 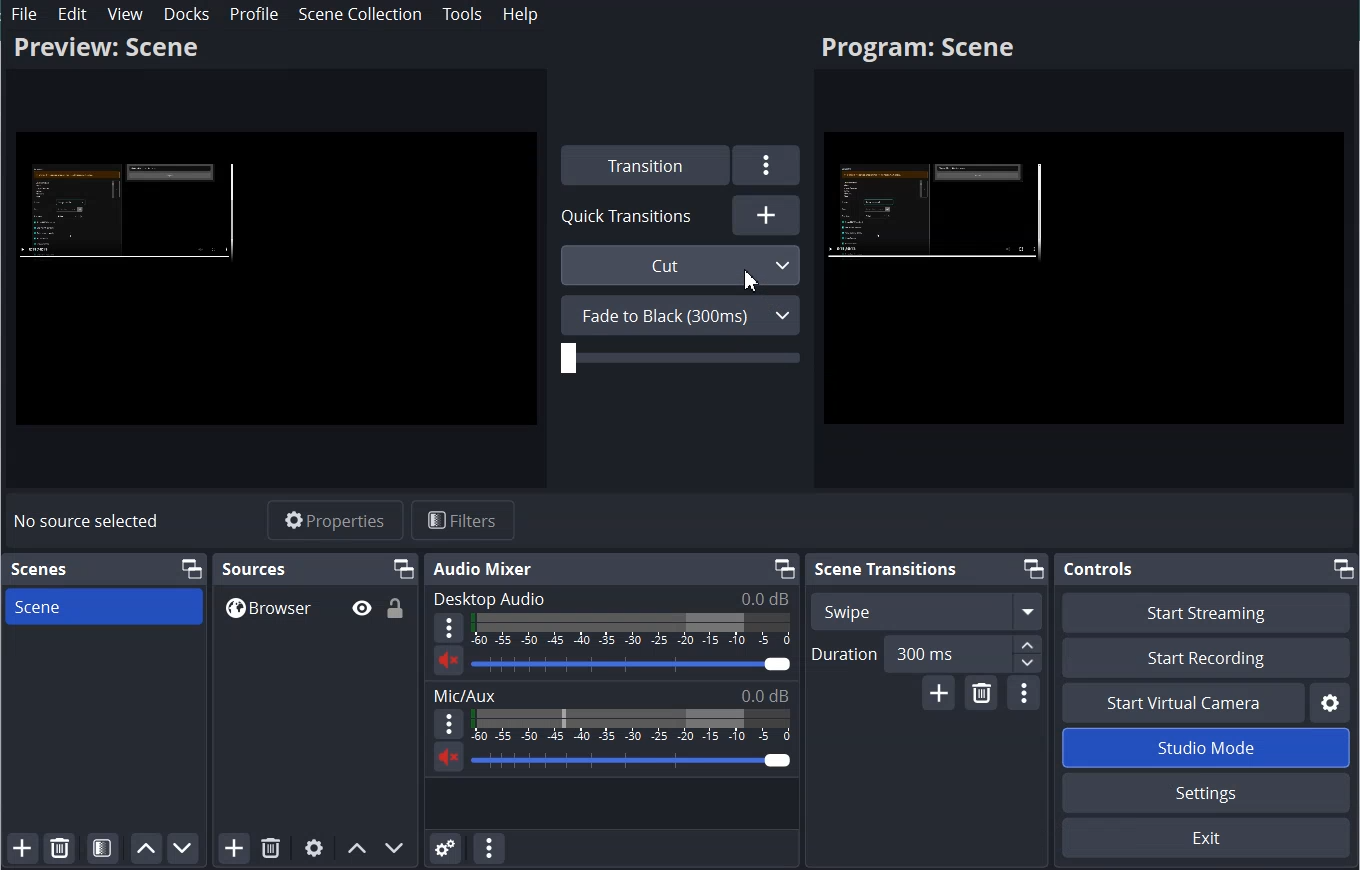 I want to click on Settings, so click(x=1206, y=792).